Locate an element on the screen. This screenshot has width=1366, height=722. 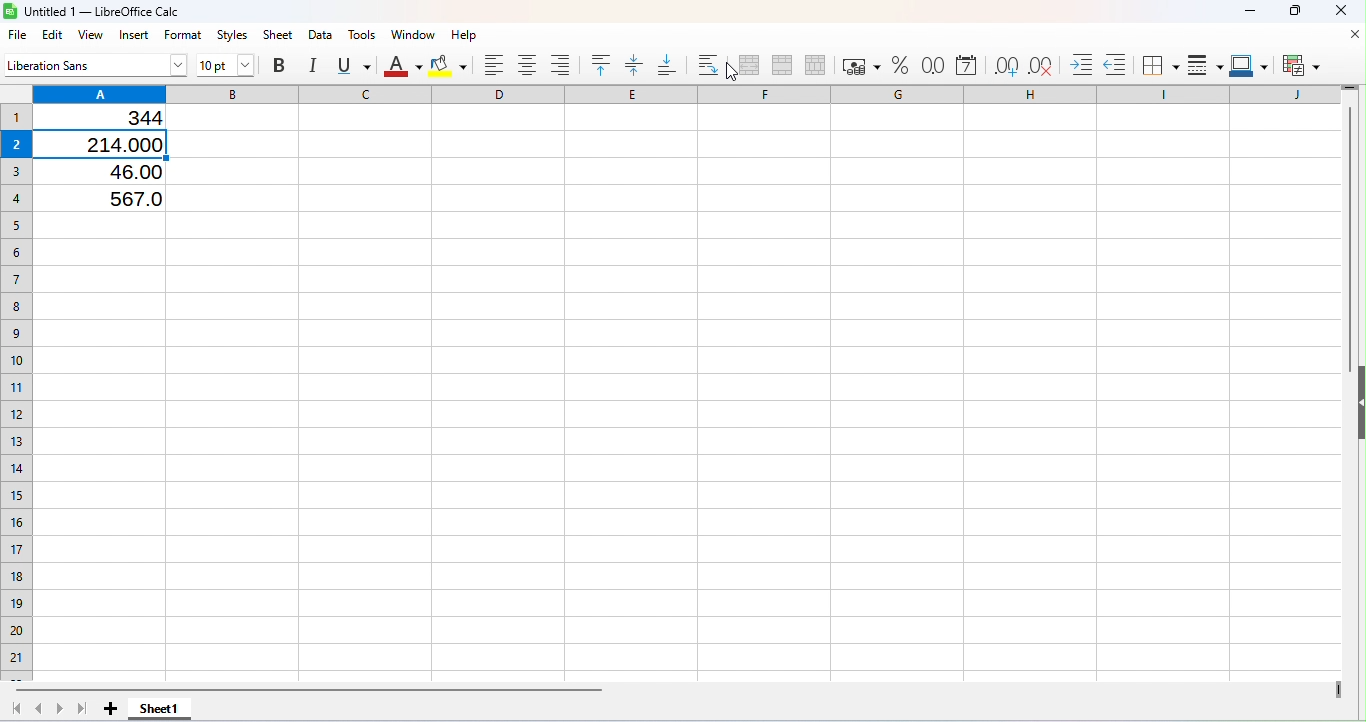
Center vertically is located at coordinates (635, 65).